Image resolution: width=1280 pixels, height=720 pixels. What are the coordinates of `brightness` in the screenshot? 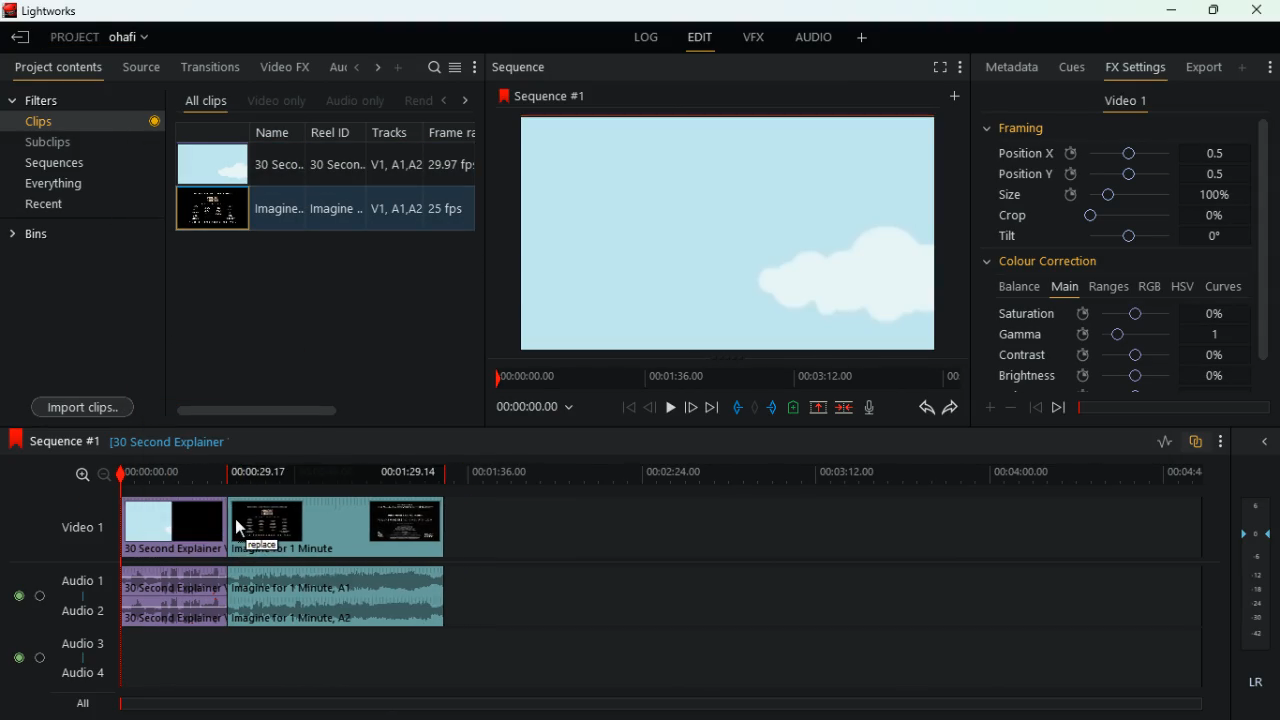 It's located at (1113, 377).